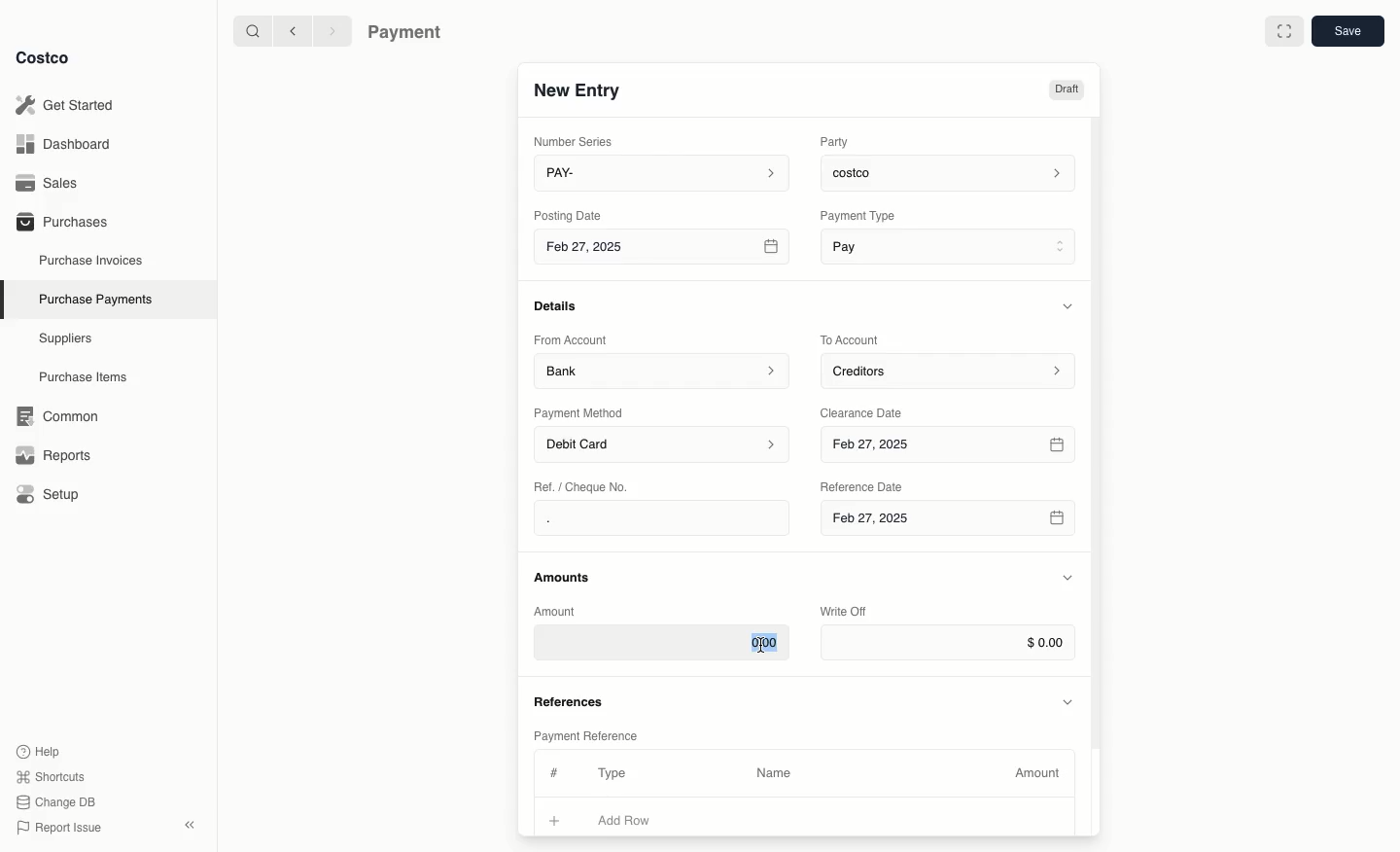 The image size is (1400, 852). Describe the element at coordinates (331, 30) in the screenshot. I see `Forward` at that location.